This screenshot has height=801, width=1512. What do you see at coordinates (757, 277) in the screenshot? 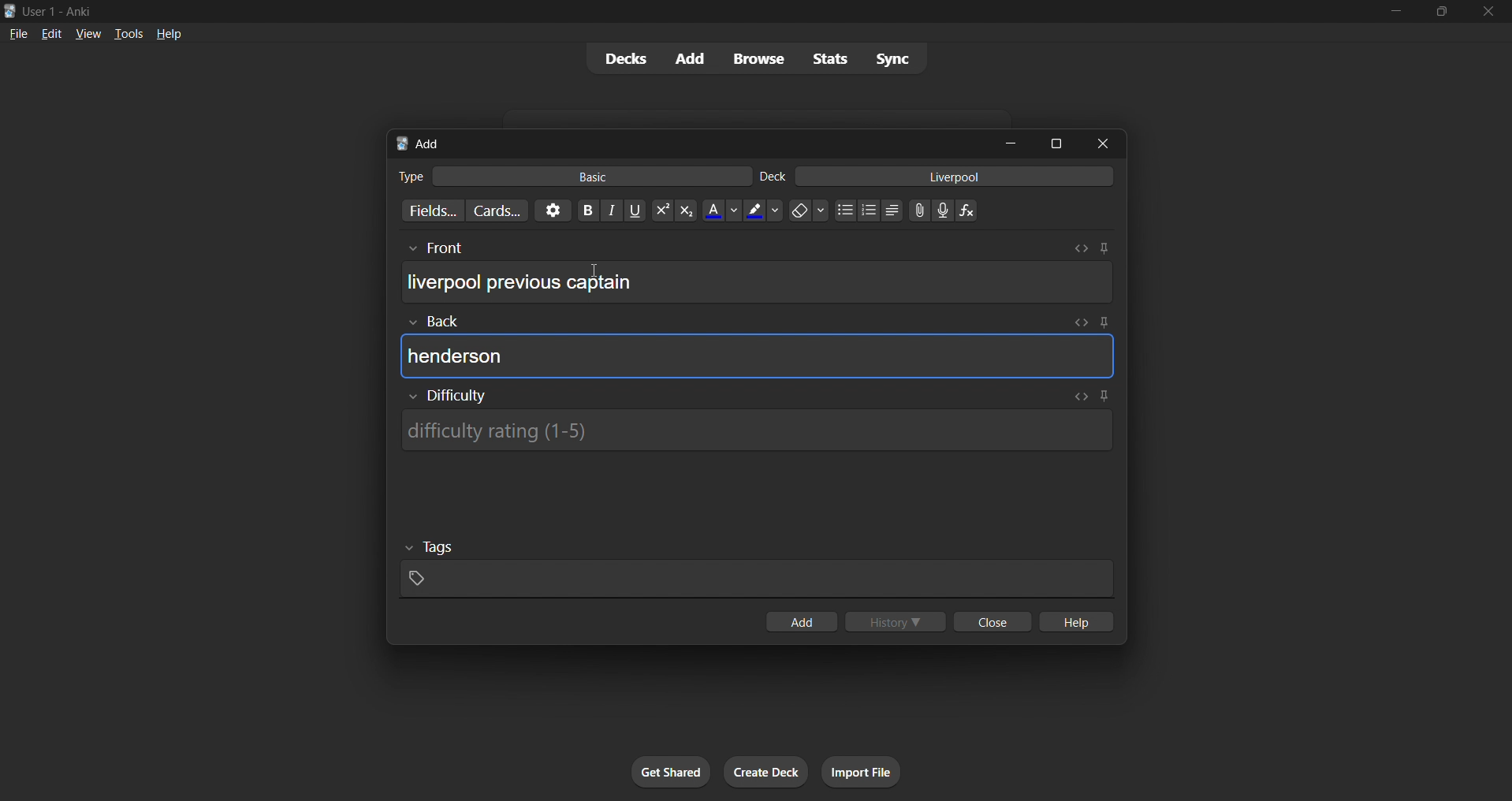
I see `card front input box` at bounding box center [757, 277].